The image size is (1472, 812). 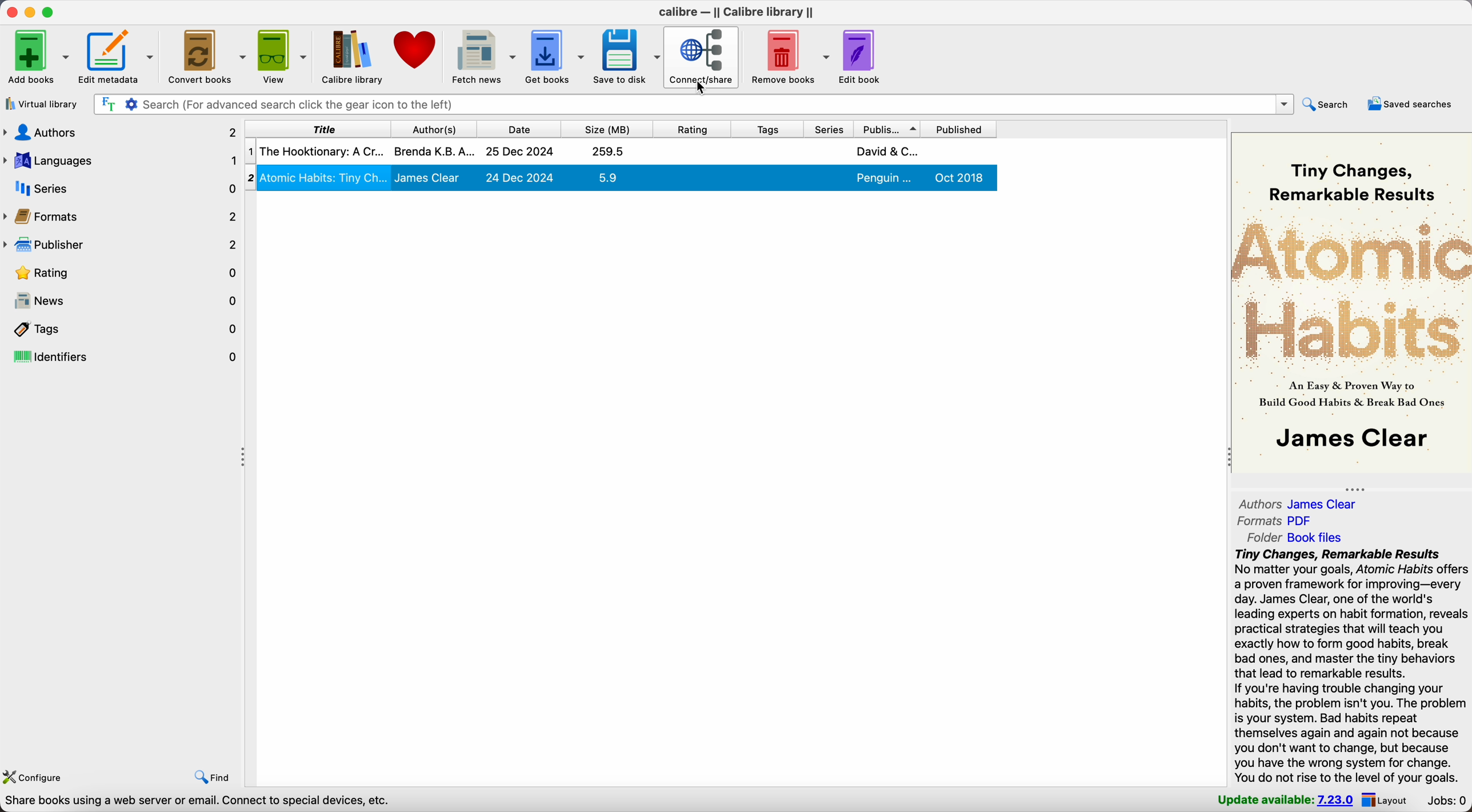 What do you see at coordinates (51, 11) in the screenshot?
I see `maximize Calibre` at bounding box center [51, 11].